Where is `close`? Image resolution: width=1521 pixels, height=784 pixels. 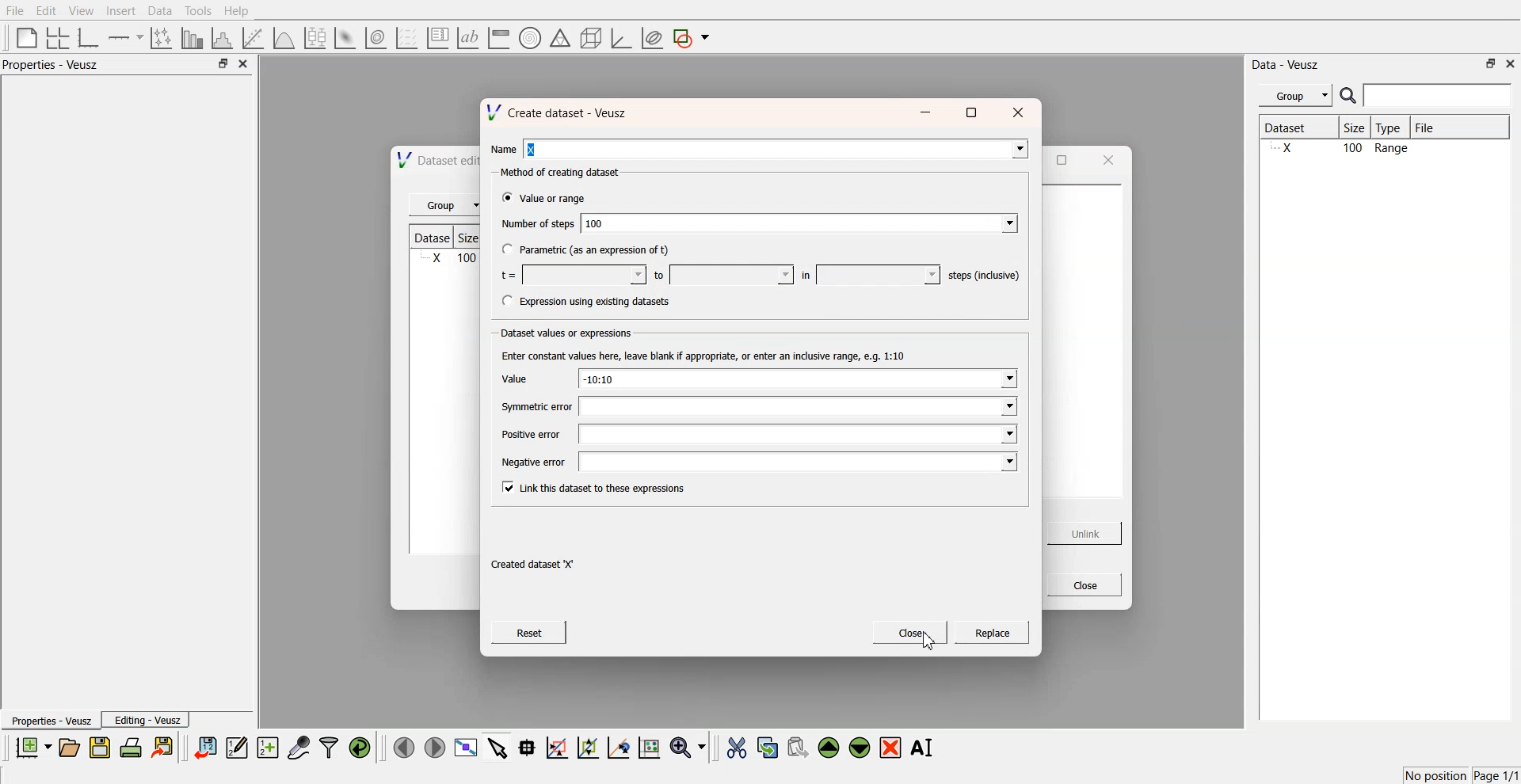 close is located at coordinates (244, 64).